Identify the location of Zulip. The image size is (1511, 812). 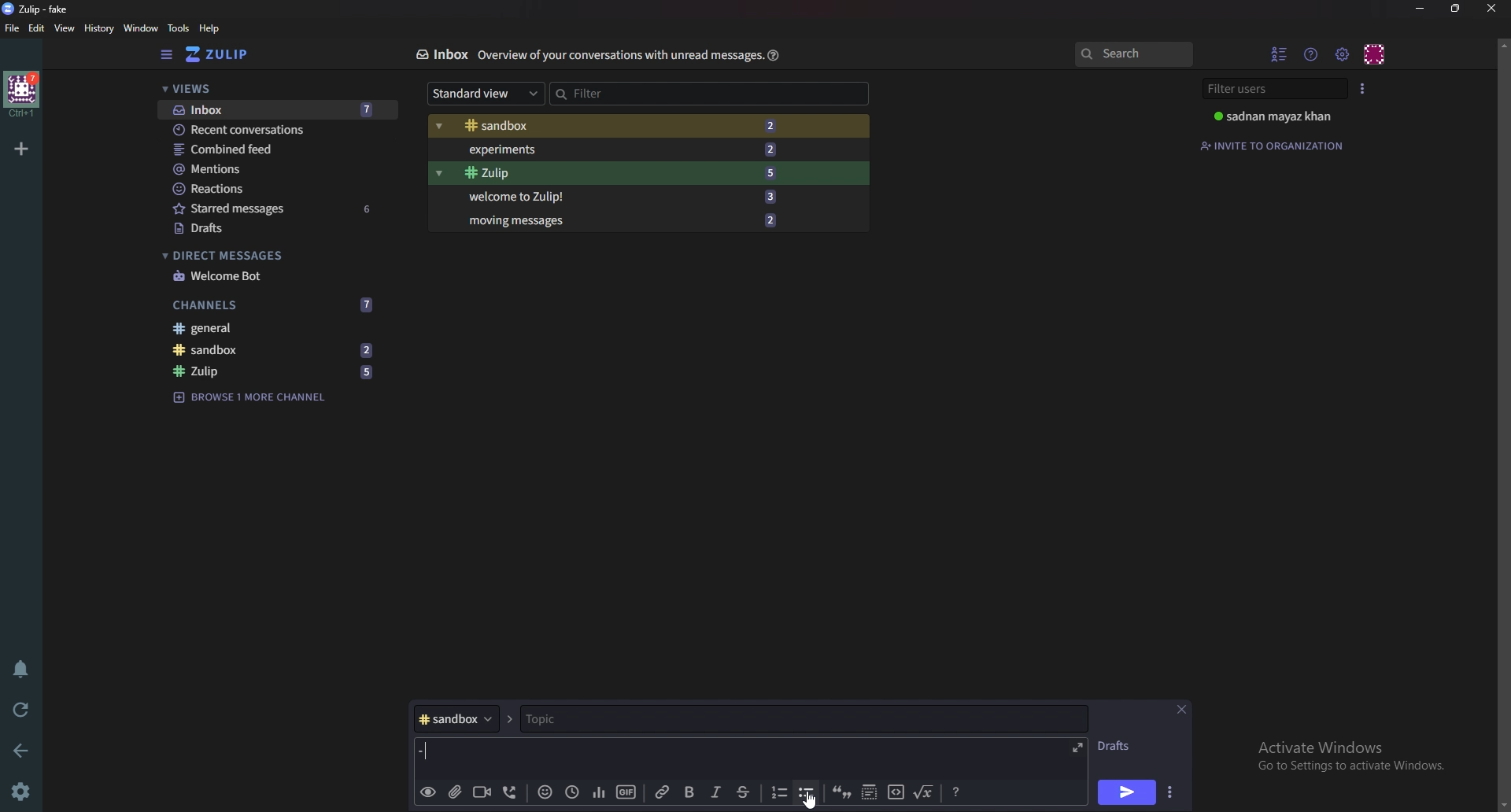
(275, 372).